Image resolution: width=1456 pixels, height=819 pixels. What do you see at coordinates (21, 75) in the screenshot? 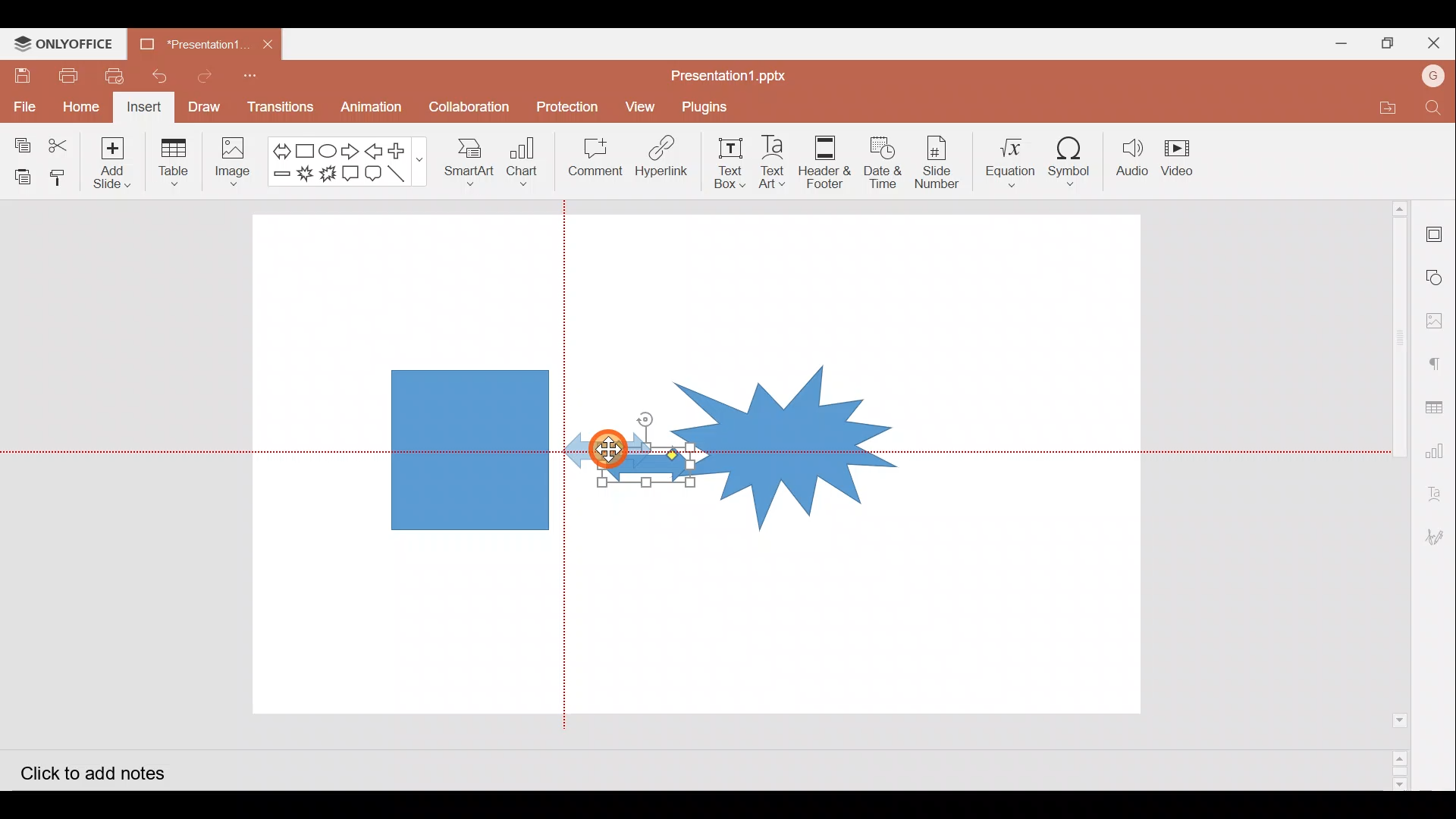
I see `Save` at bounding box center [21, 75].